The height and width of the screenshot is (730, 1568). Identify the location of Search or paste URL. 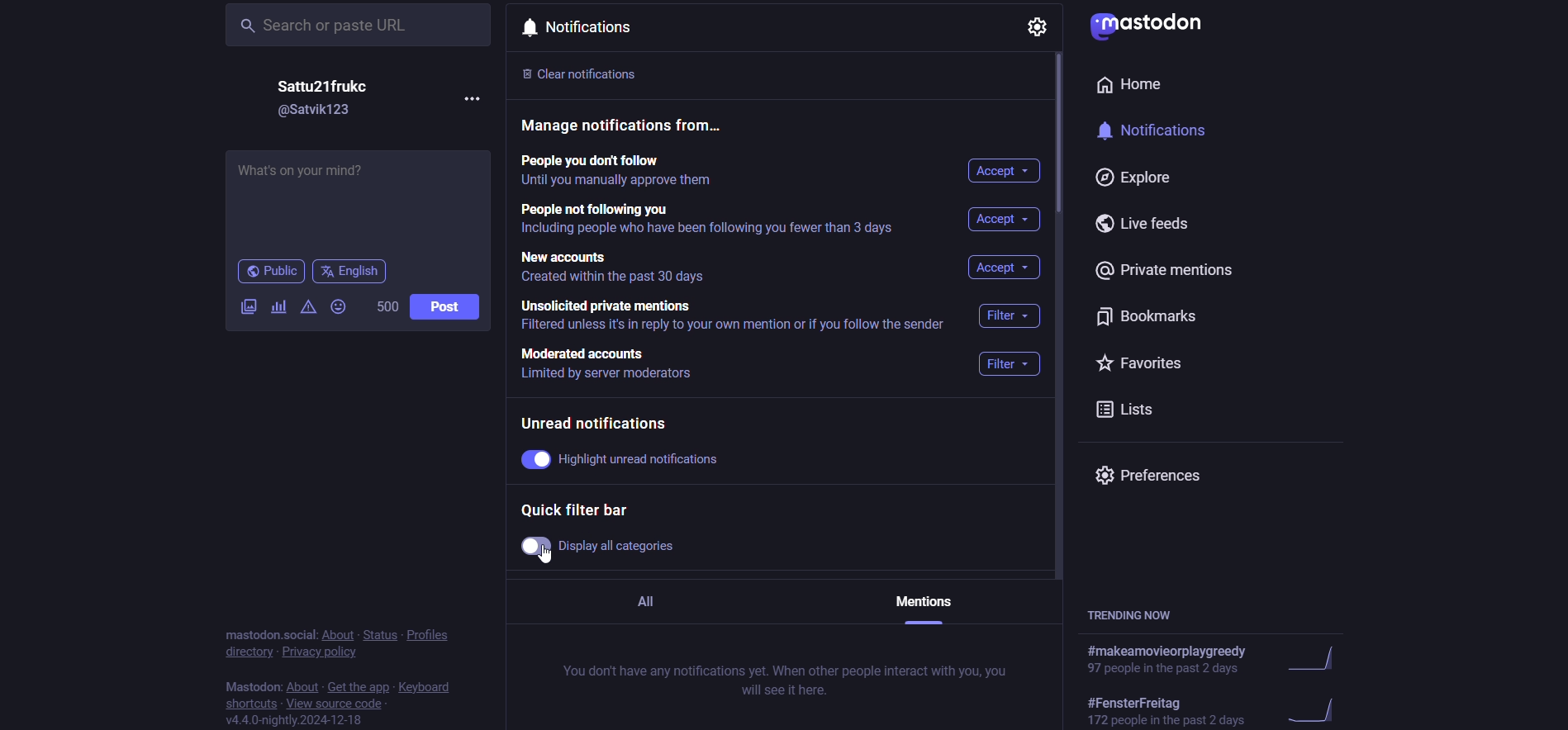
(359, 25).